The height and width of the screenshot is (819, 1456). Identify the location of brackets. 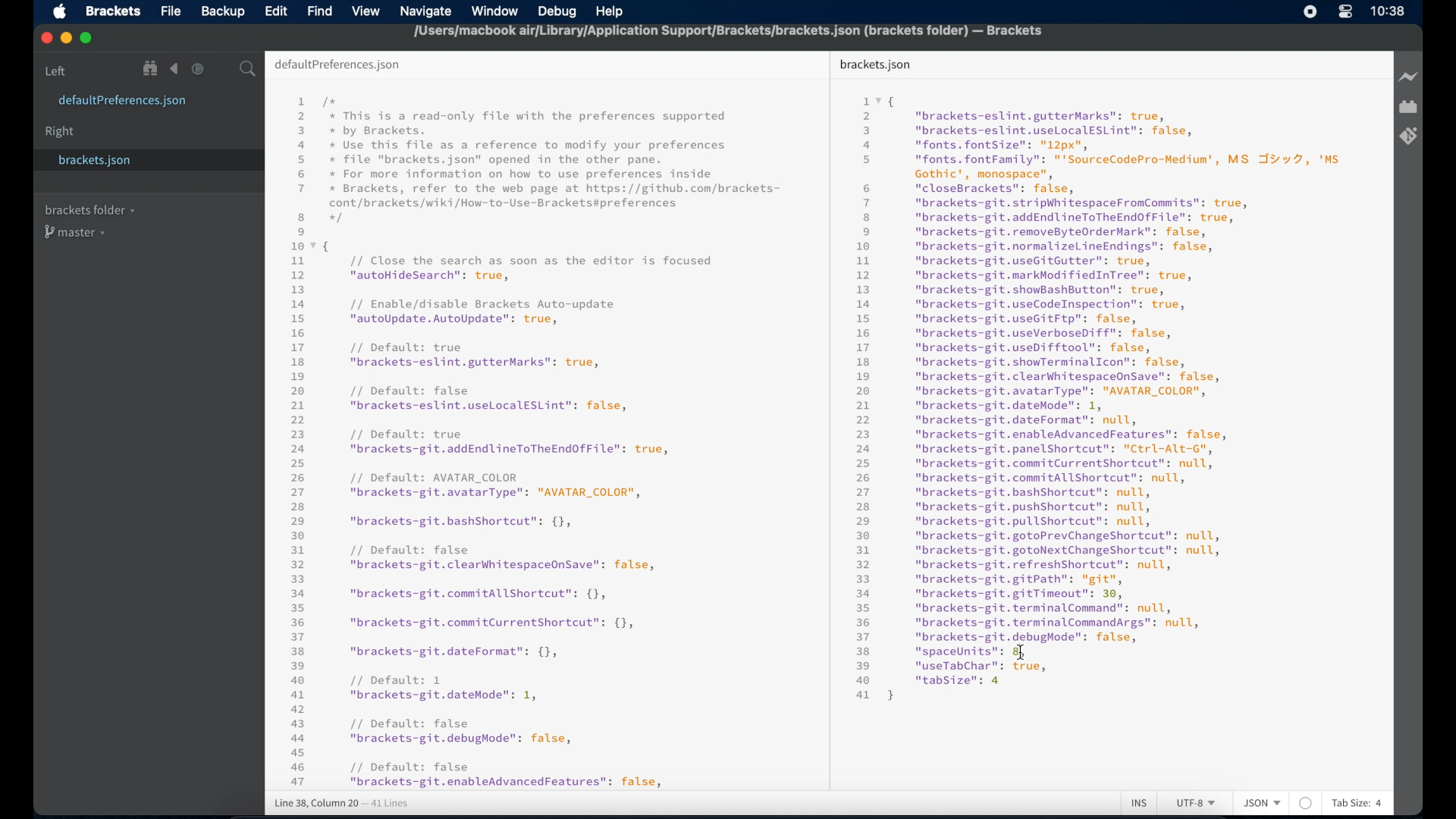
(114, 11).